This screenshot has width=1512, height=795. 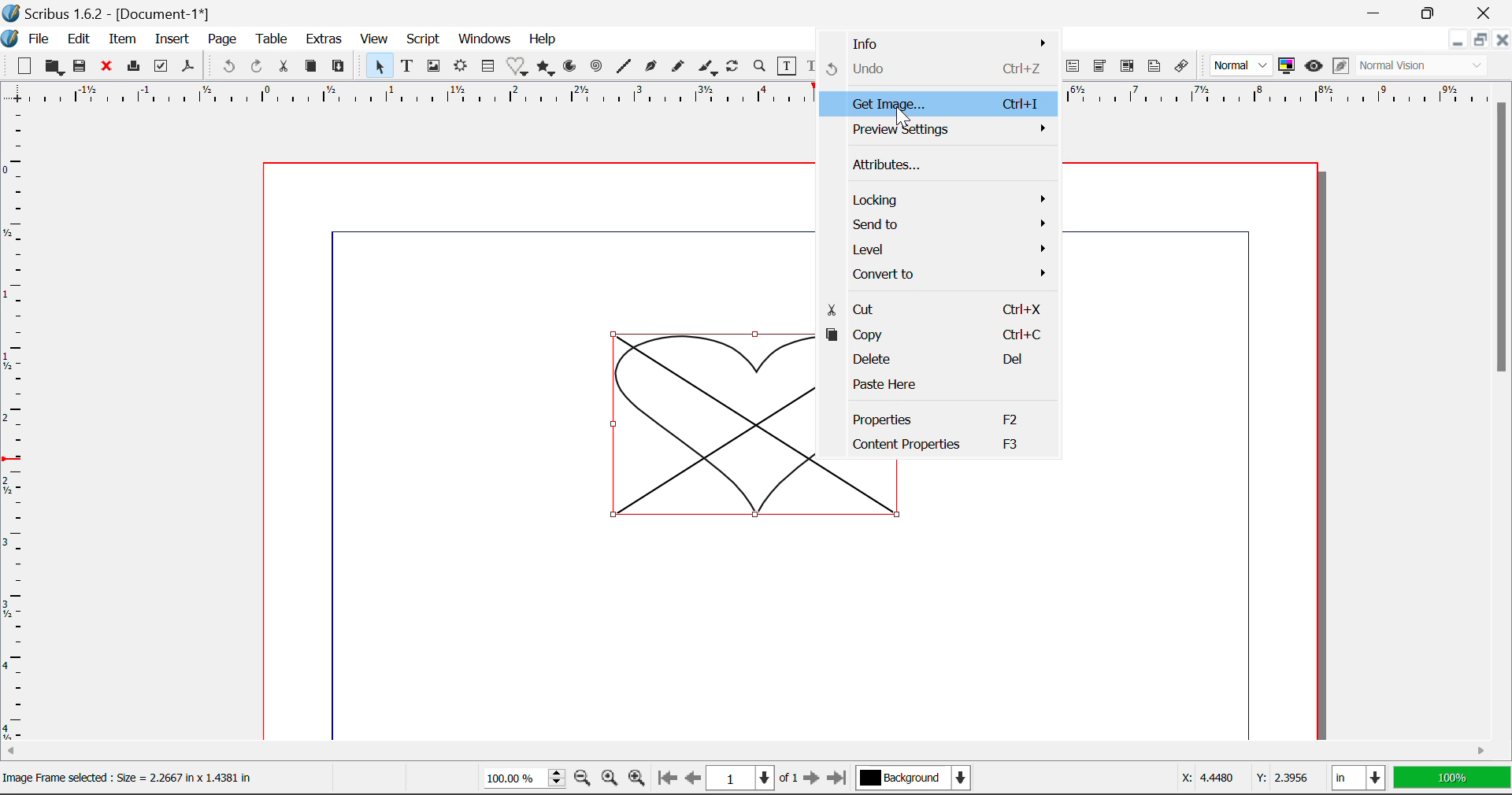 I want to click on Toggle color management system, so click(x=1287, y=67).